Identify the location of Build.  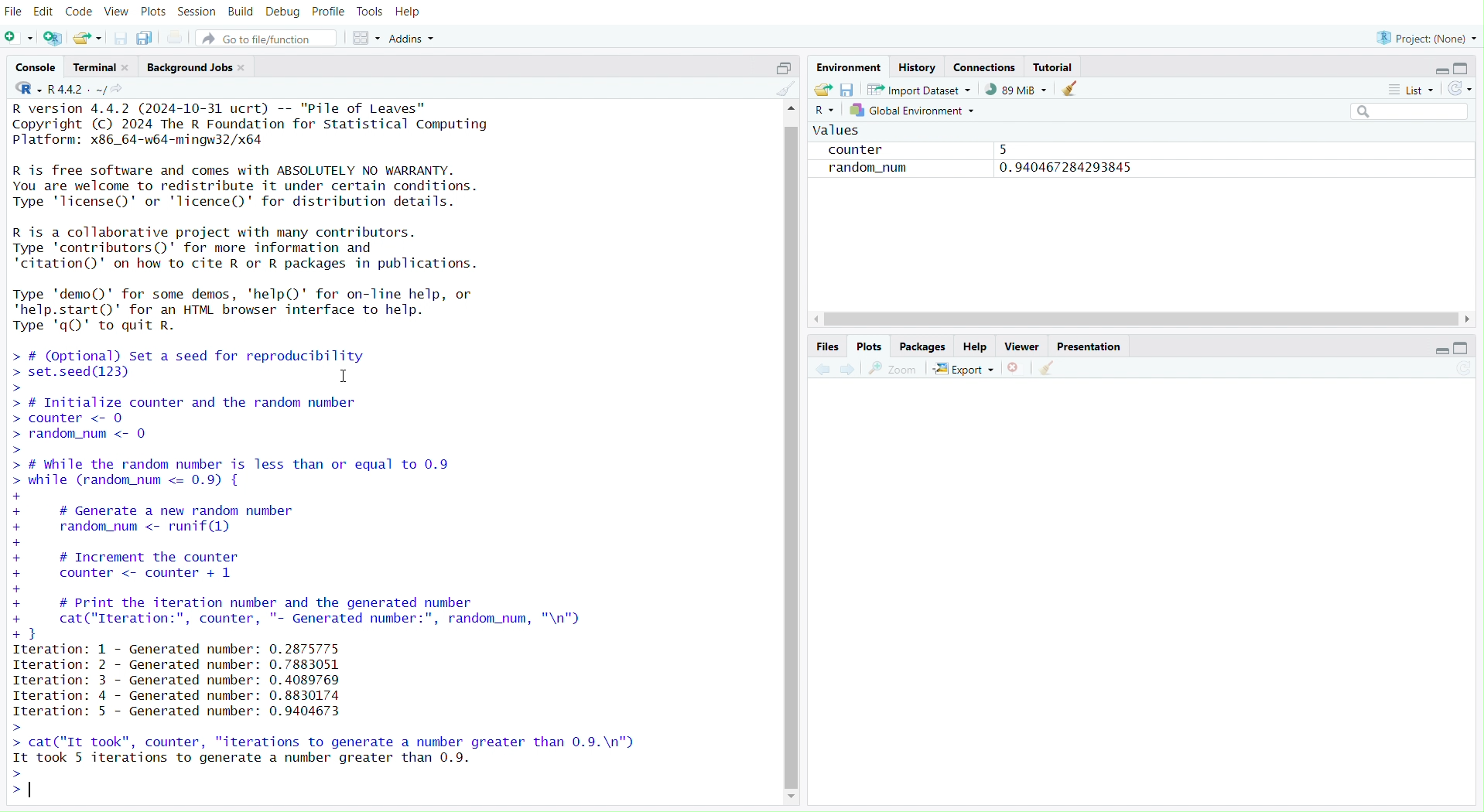
(239, 13).